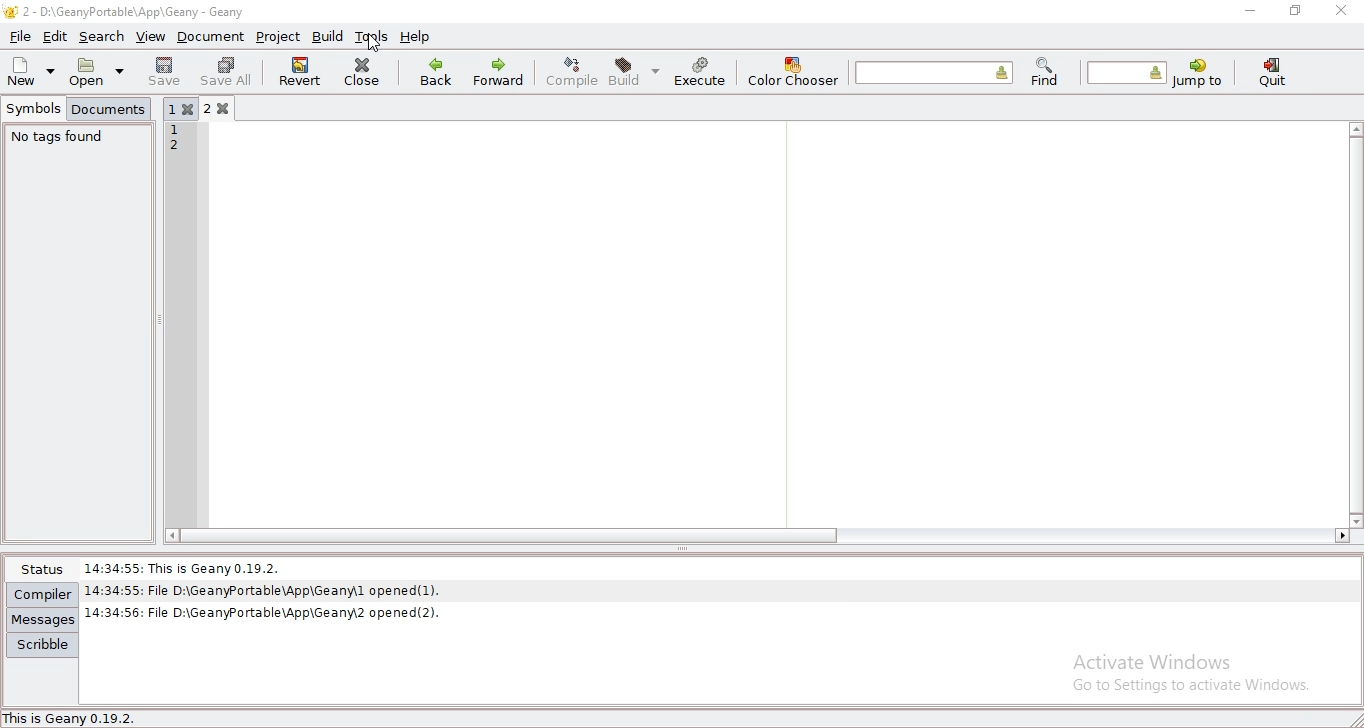 Image resolution: width=1364 pixels, height=728 pixels. What do you see at coordinates (35, 108) in the screenshot?
I see `symbols` at bounding box center [35, 108].